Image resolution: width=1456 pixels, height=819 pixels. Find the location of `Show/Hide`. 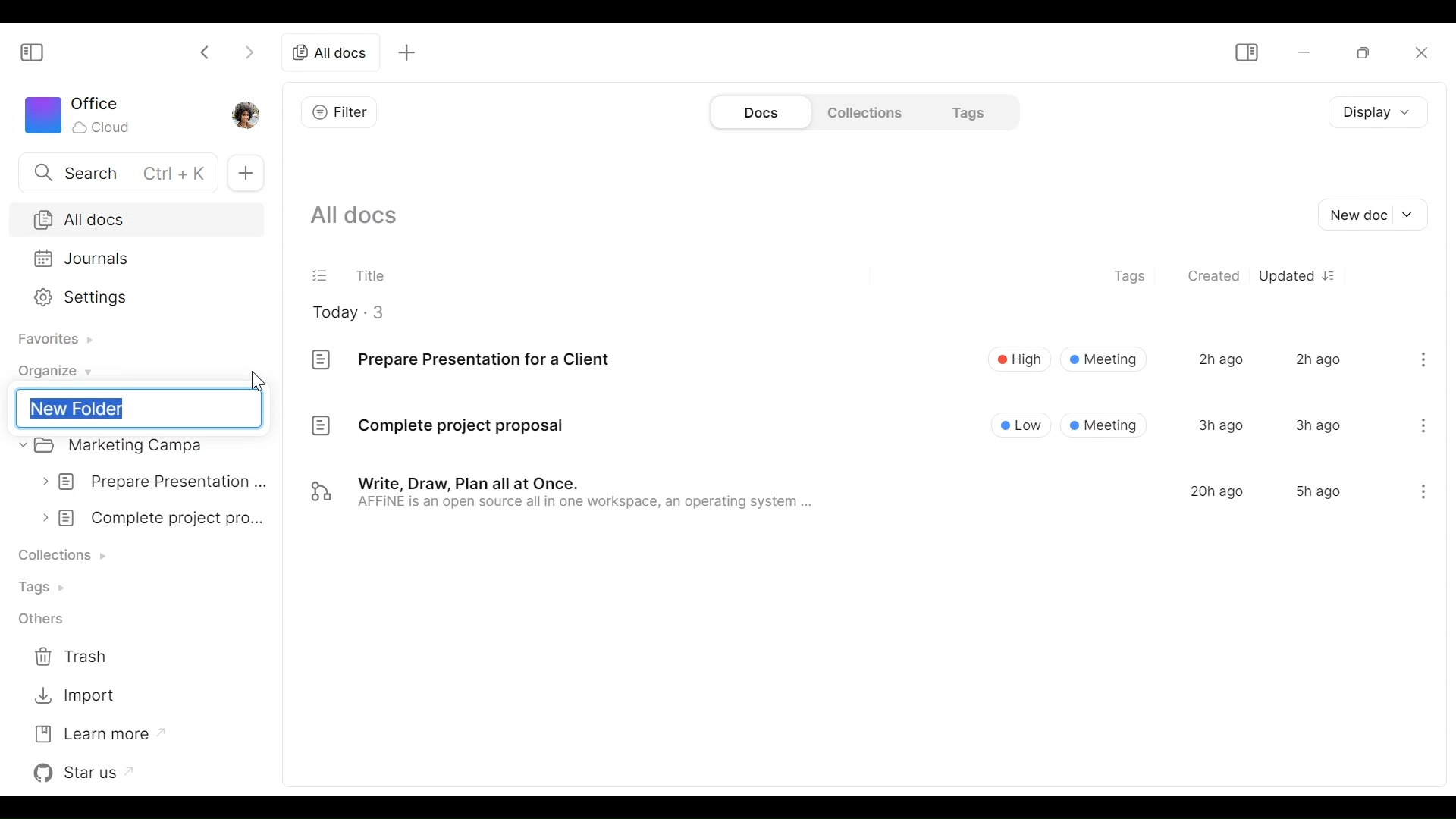

Show/Hide is located at coordinates (1246, 54).